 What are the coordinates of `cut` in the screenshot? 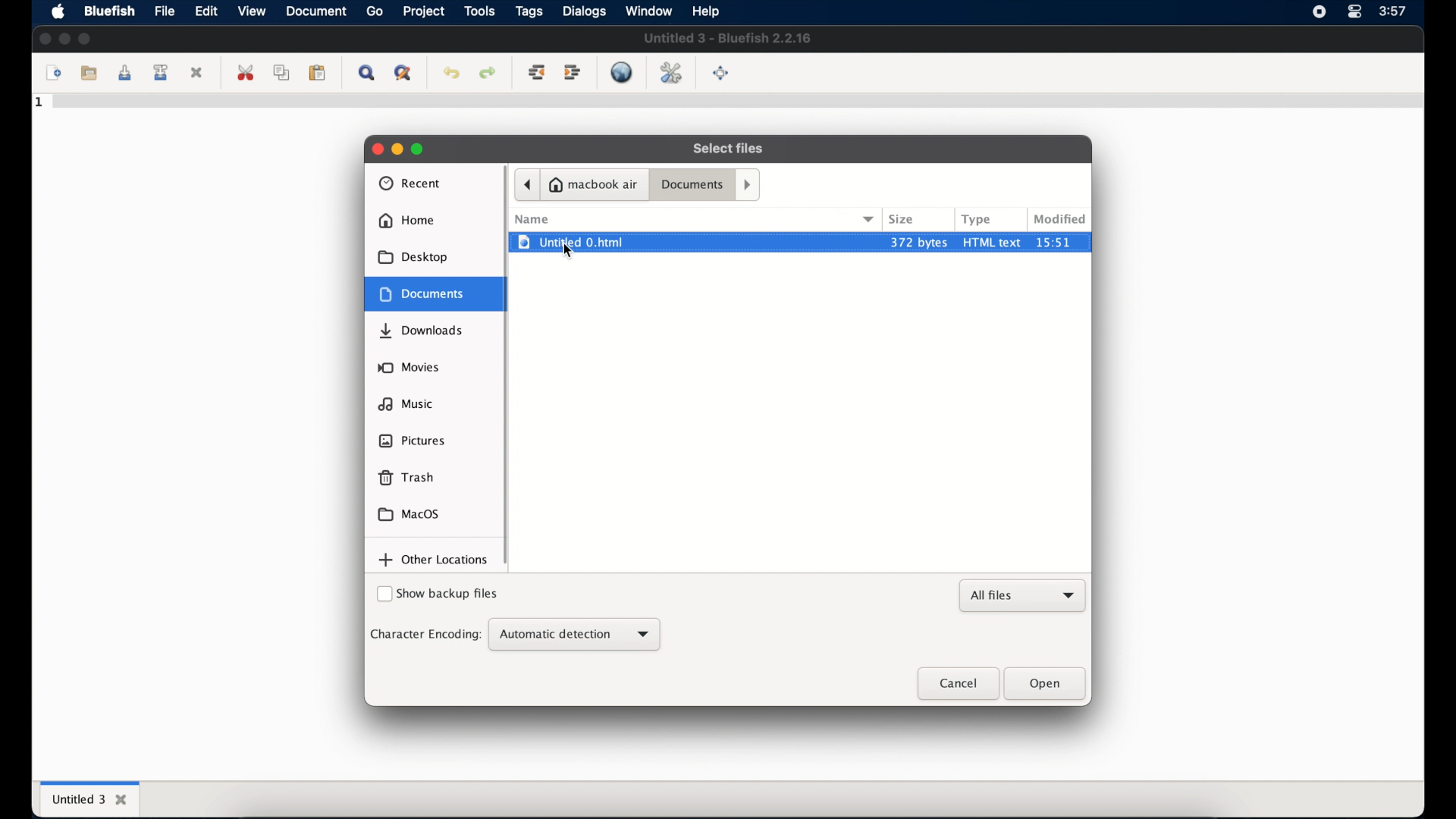 It's located at (246, 73).